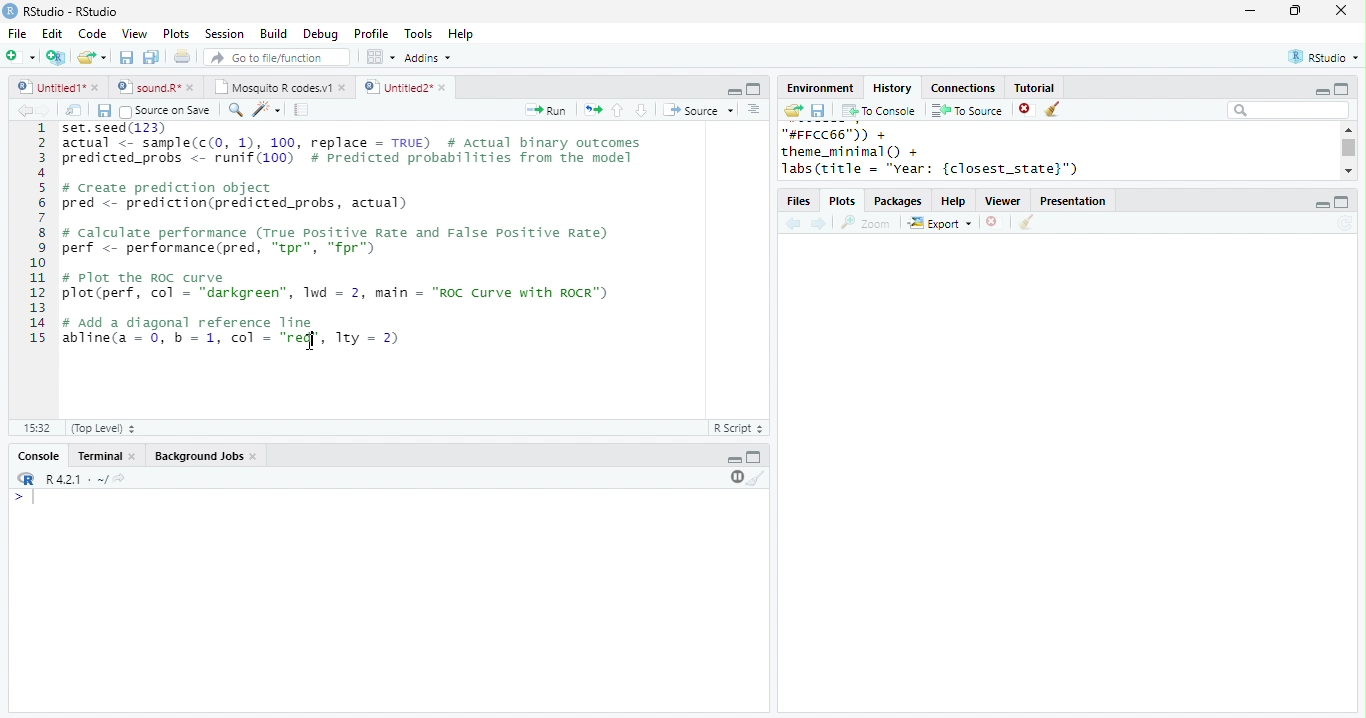 Image resolution: width=1366 pixels, height=718 pixels. What do you see at coordinates (97, 87) in the screenshot?
I see `close` at bounding box center [97, 87].